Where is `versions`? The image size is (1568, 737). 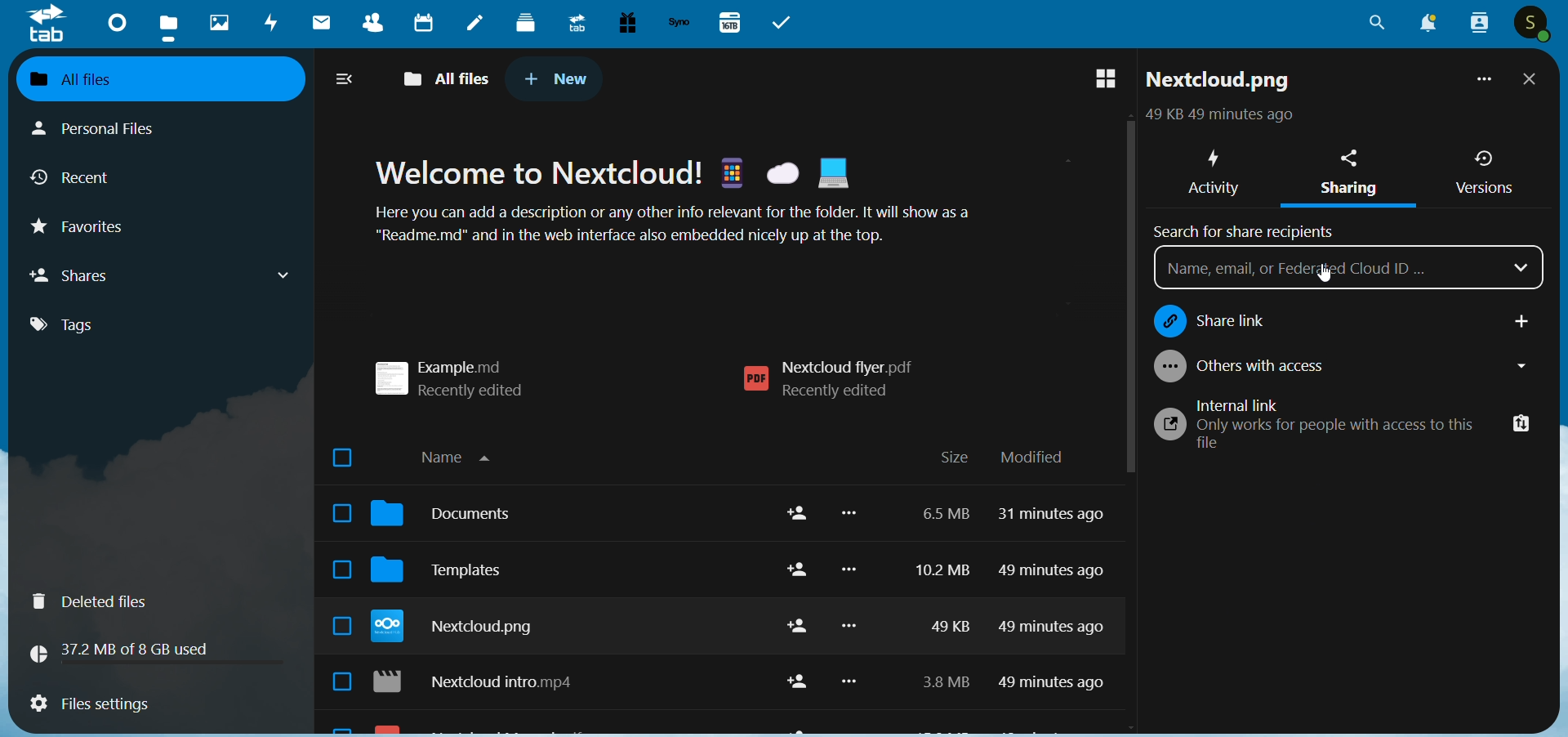
versions is located at coordinates (1484, 172).